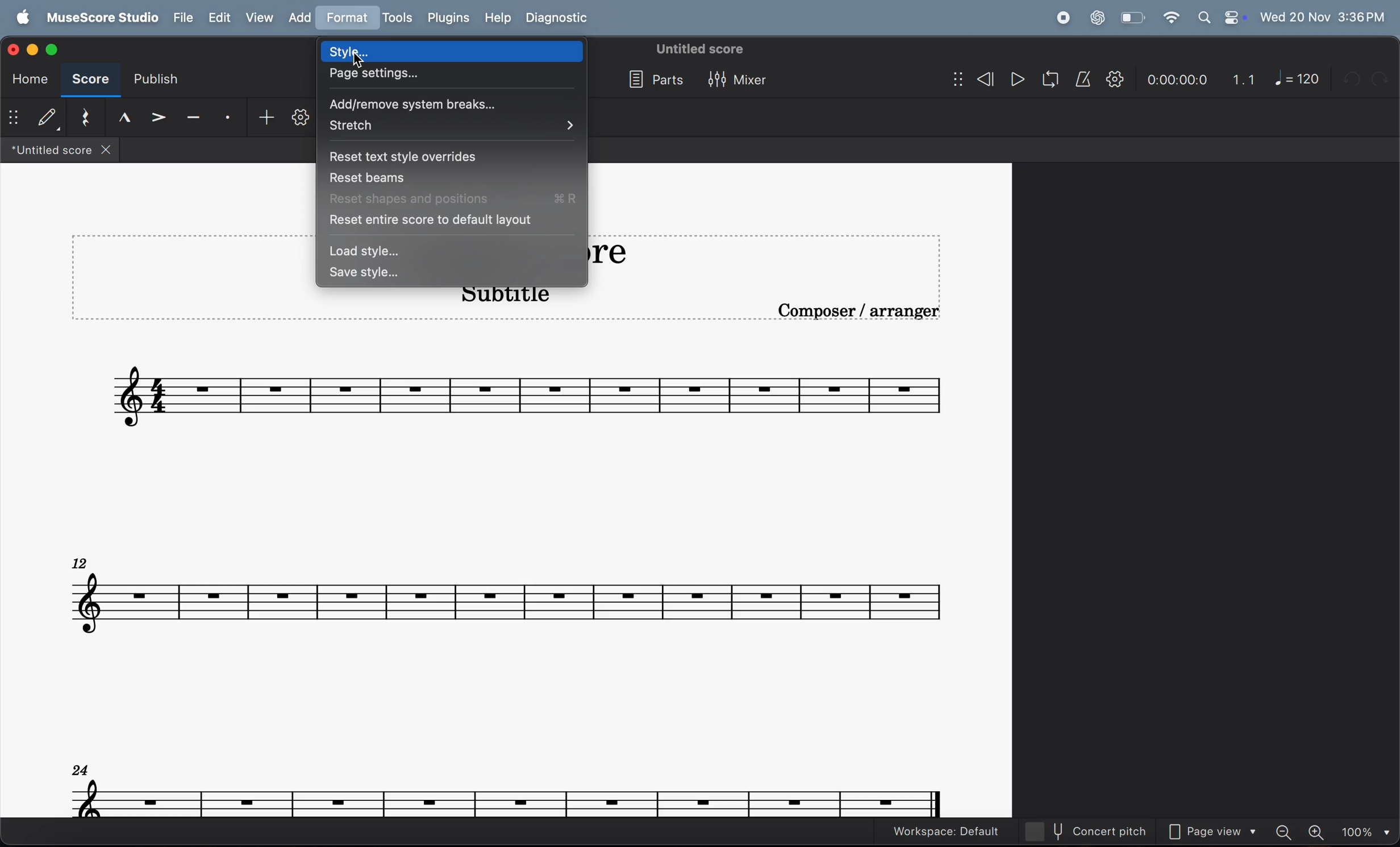  What do you see at coordinates (349, 18) in the screenshot?
I see `format` at bounding box center [349, 18].